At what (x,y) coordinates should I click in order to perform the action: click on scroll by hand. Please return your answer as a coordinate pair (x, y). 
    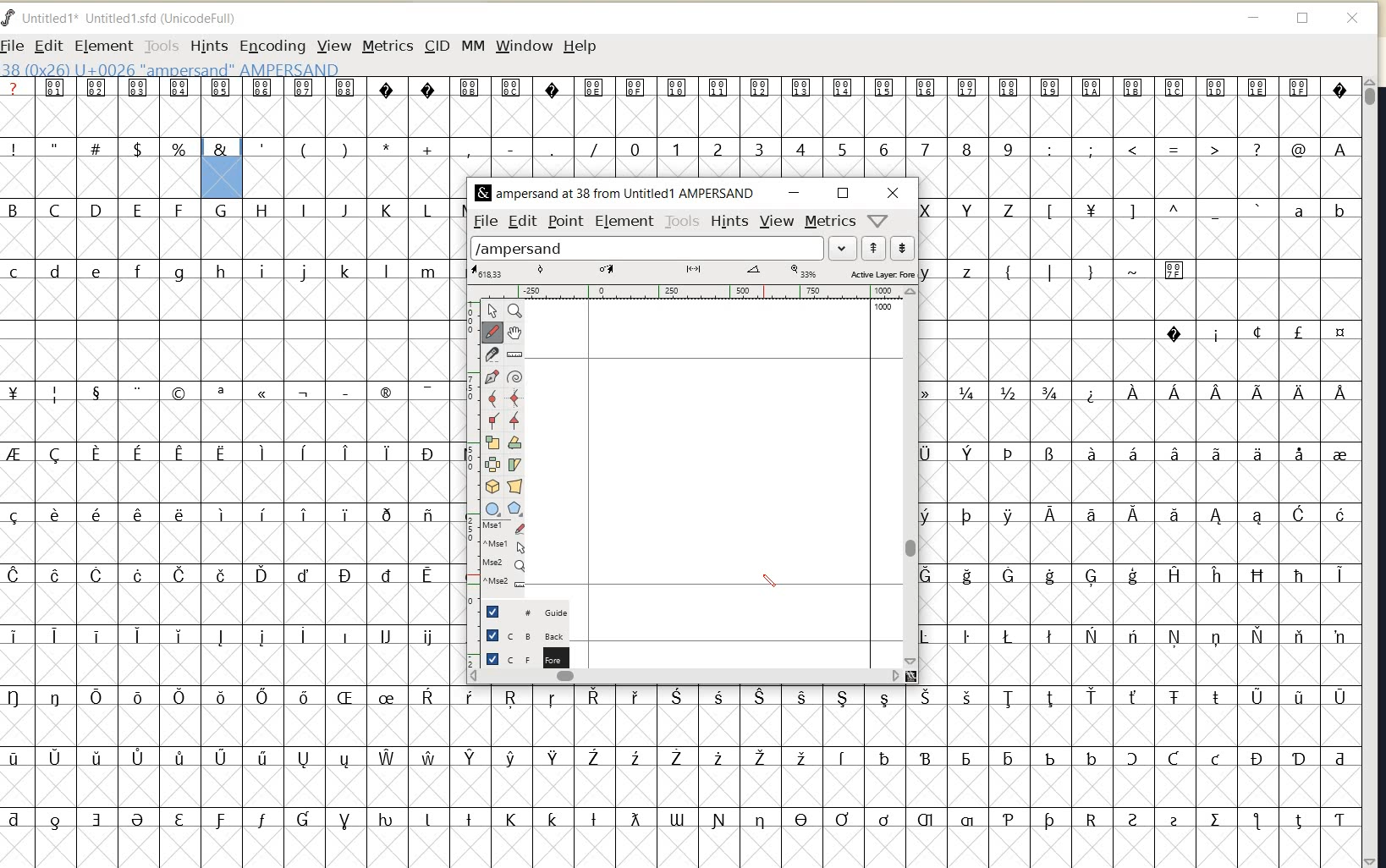
    Looking at the image, I should click on (514, 333).